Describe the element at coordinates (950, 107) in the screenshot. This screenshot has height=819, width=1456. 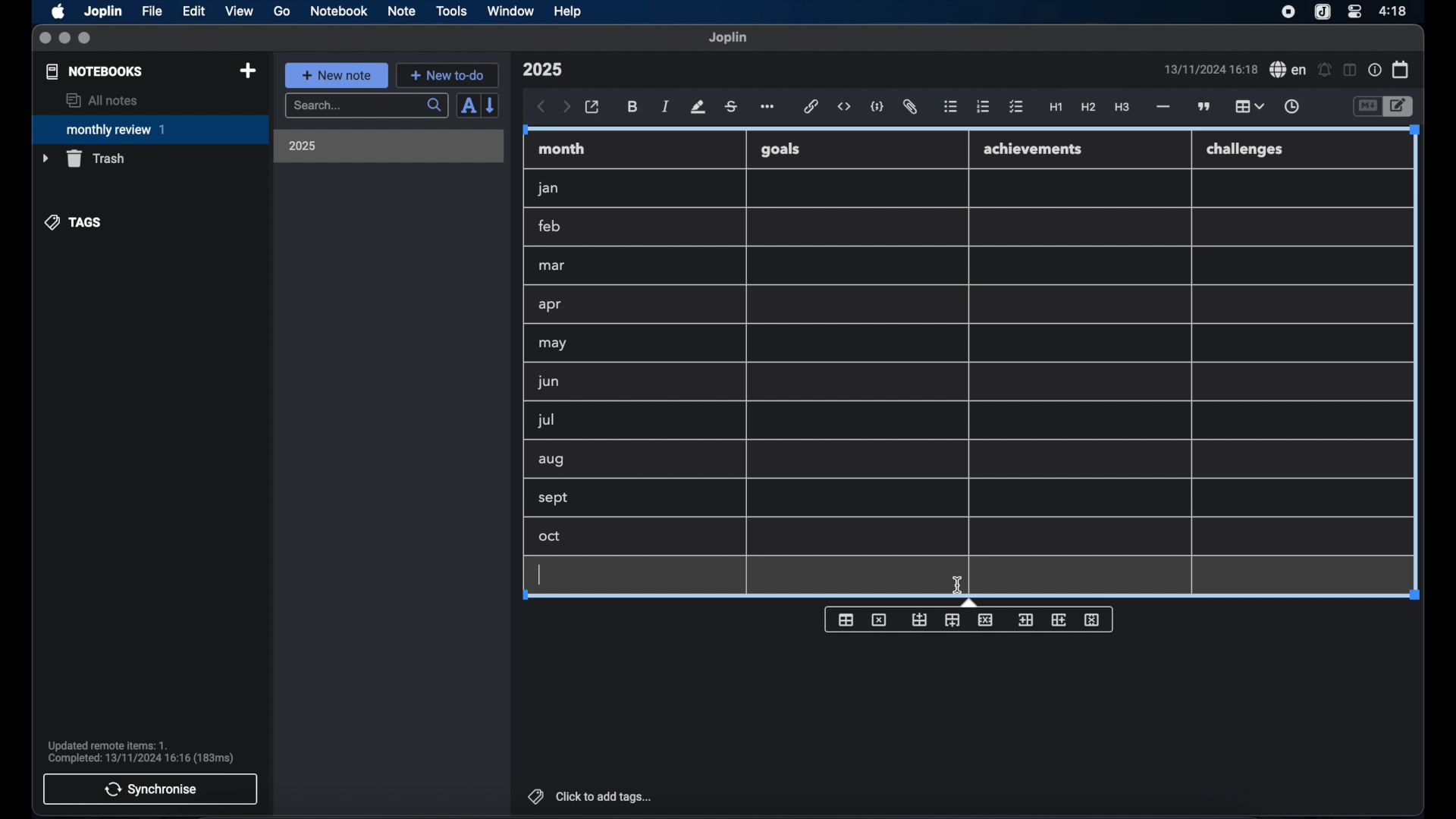
I see `bulleted list` at that location.